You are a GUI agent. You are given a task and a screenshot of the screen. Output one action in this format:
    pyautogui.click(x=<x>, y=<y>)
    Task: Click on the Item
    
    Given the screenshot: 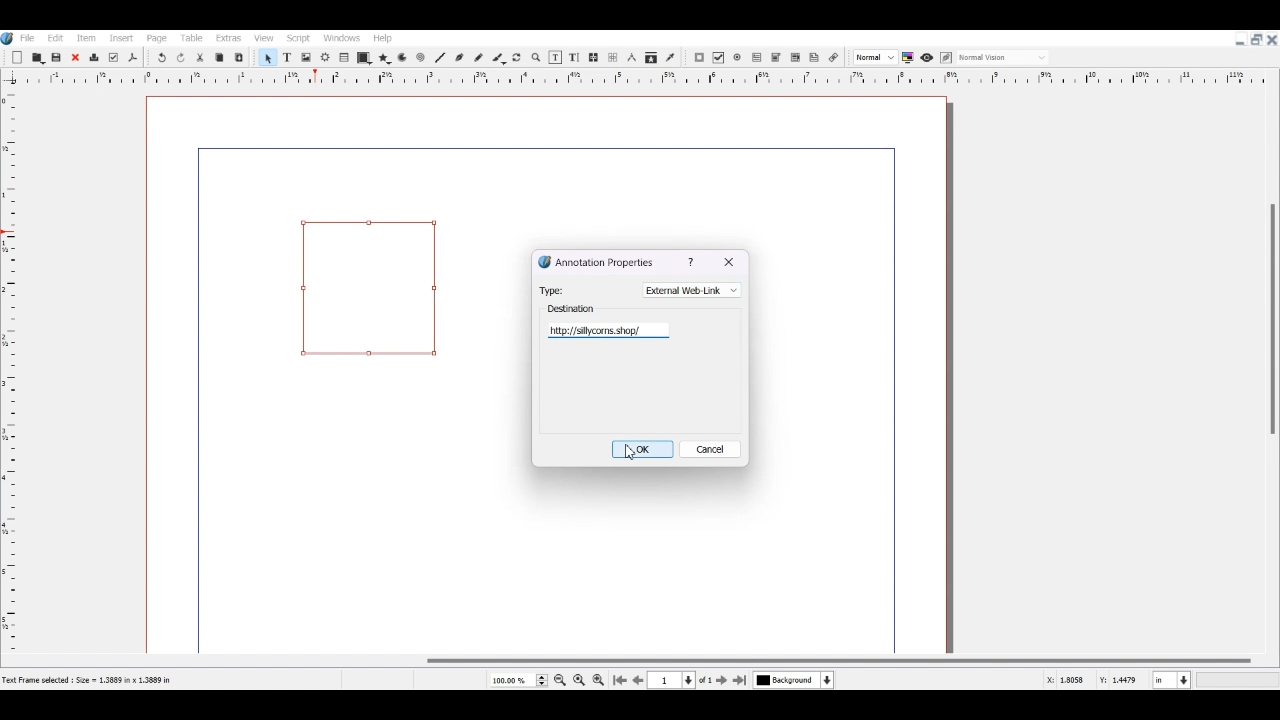 What is the action you would take?
    pyautogui.click(x=84, y=38)
    